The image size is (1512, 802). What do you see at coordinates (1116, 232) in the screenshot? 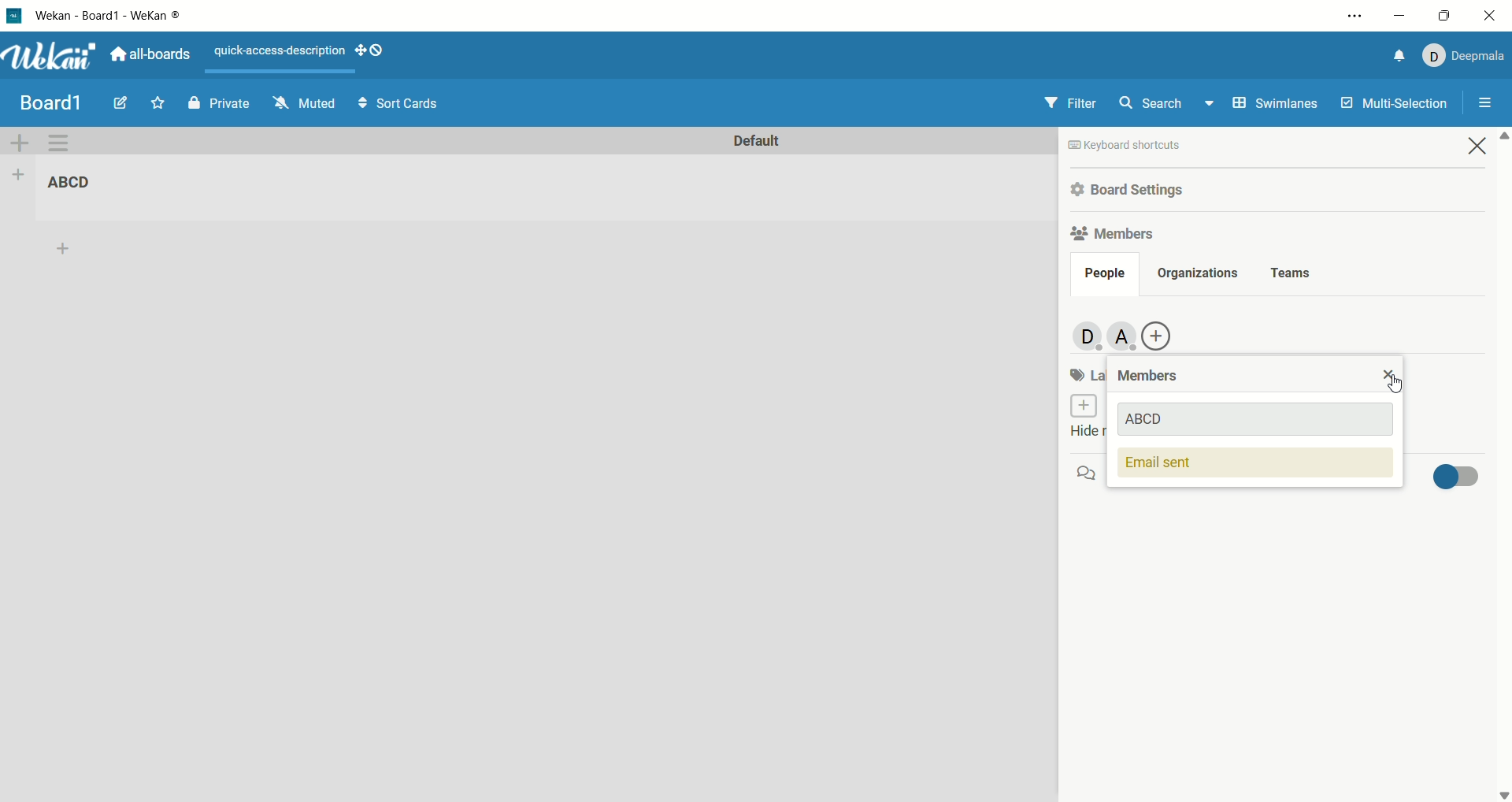
I see `members` at bounding box center [1116, 232].